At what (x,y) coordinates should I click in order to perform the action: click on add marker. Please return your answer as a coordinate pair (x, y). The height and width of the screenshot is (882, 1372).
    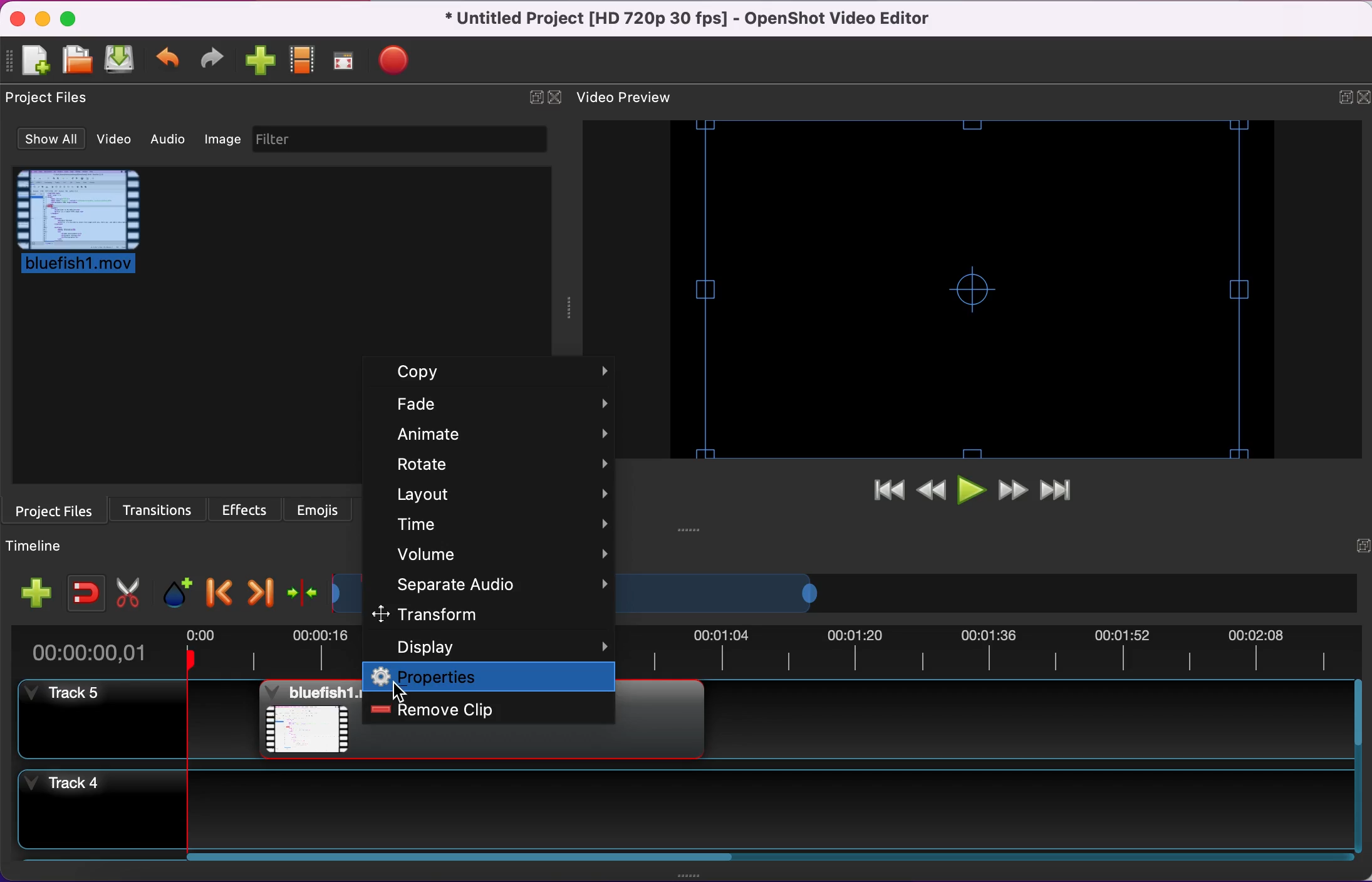
    Looking at the image, I should click on (177, 594).